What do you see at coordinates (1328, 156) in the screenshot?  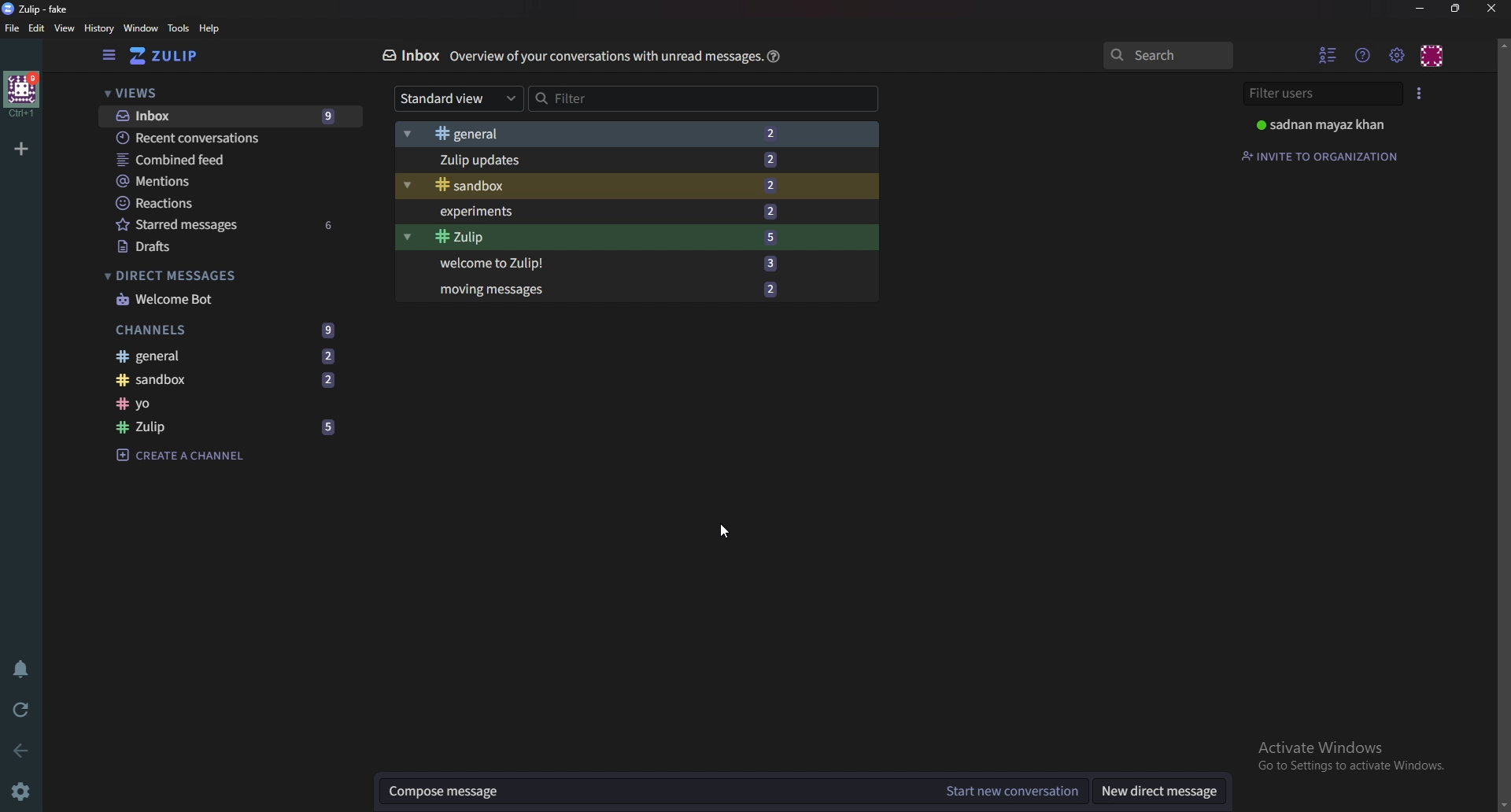 I see `Invite to organization` at bounding box center [1328, 156].